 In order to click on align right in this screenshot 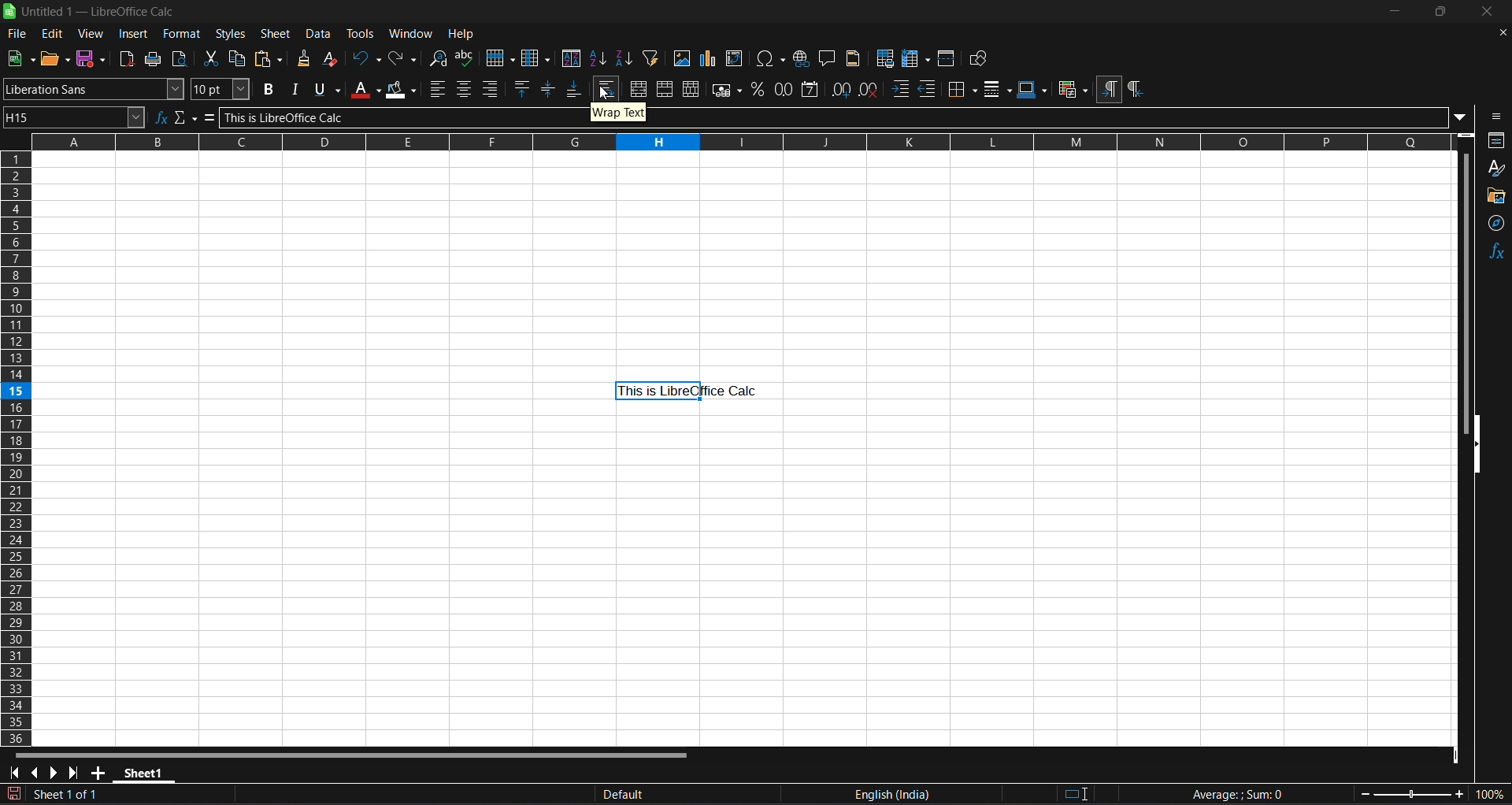, I will do `click(491, 88)`.